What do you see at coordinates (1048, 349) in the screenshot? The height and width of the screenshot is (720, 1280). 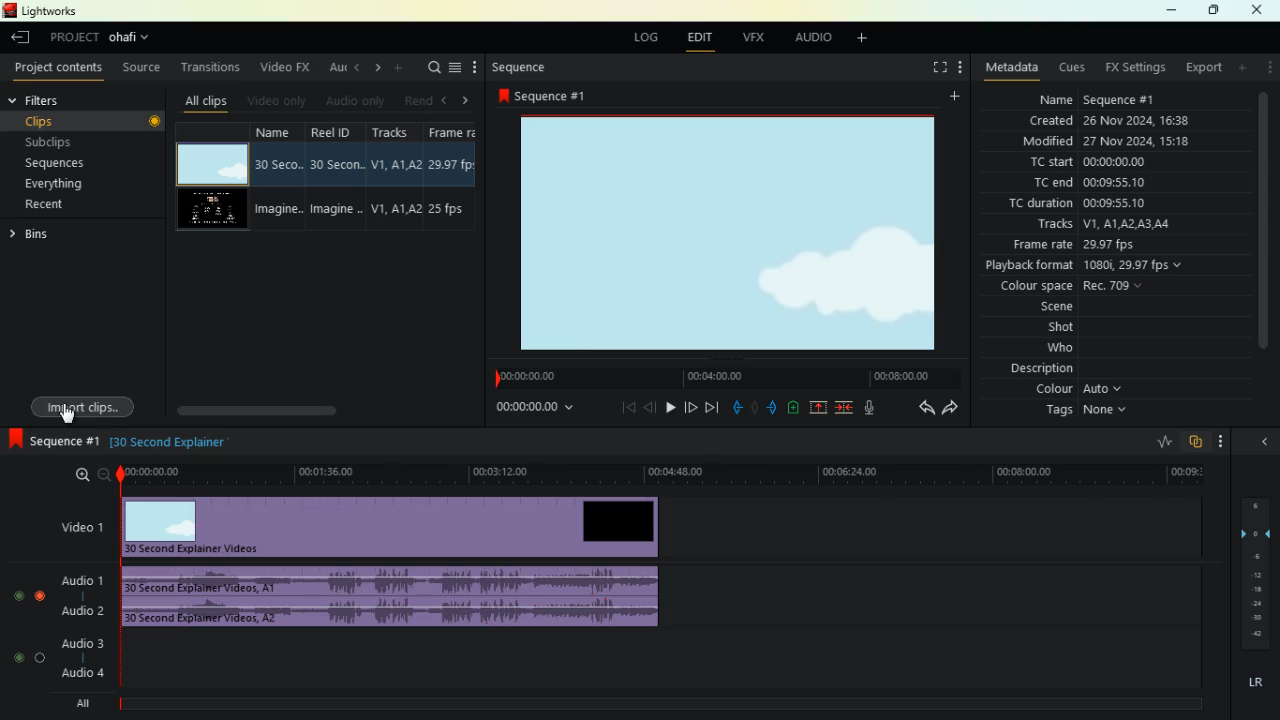 I see `who` at bounding box center [1048, 349].